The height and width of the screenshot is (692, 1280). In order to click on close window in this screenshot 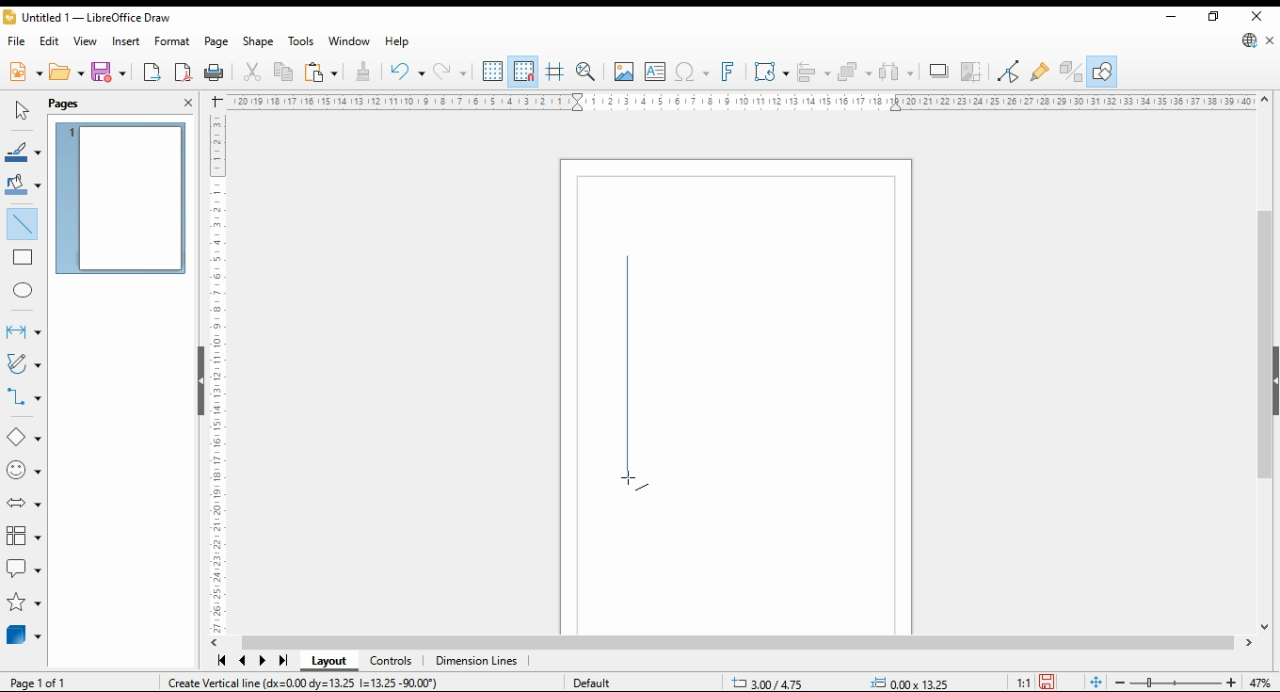, I will do `click(1254, 17)`.